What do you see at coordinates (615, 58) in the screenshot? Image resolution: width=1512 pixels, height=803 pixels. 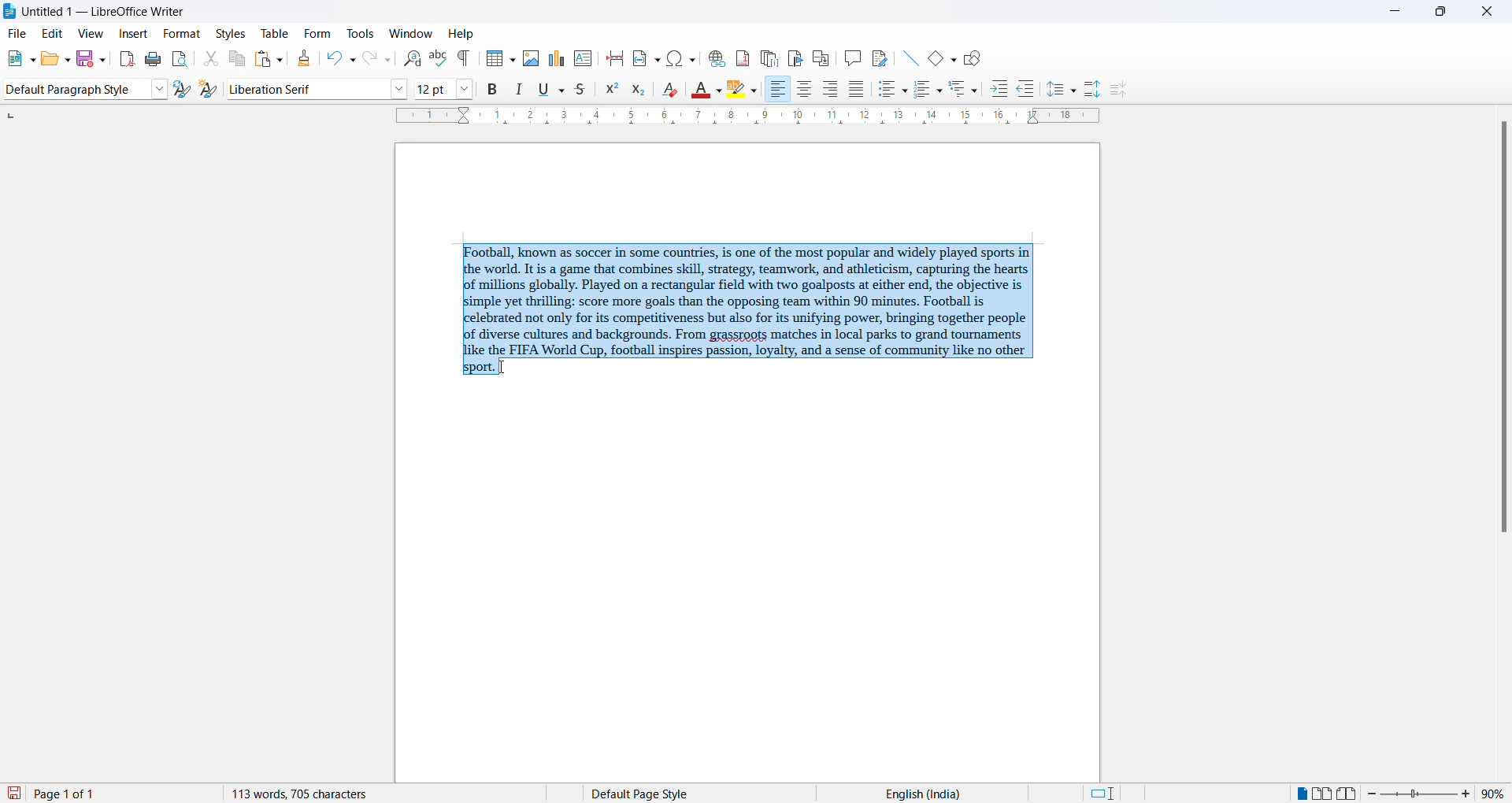 I see `page break` at bounding box center [615, 58].